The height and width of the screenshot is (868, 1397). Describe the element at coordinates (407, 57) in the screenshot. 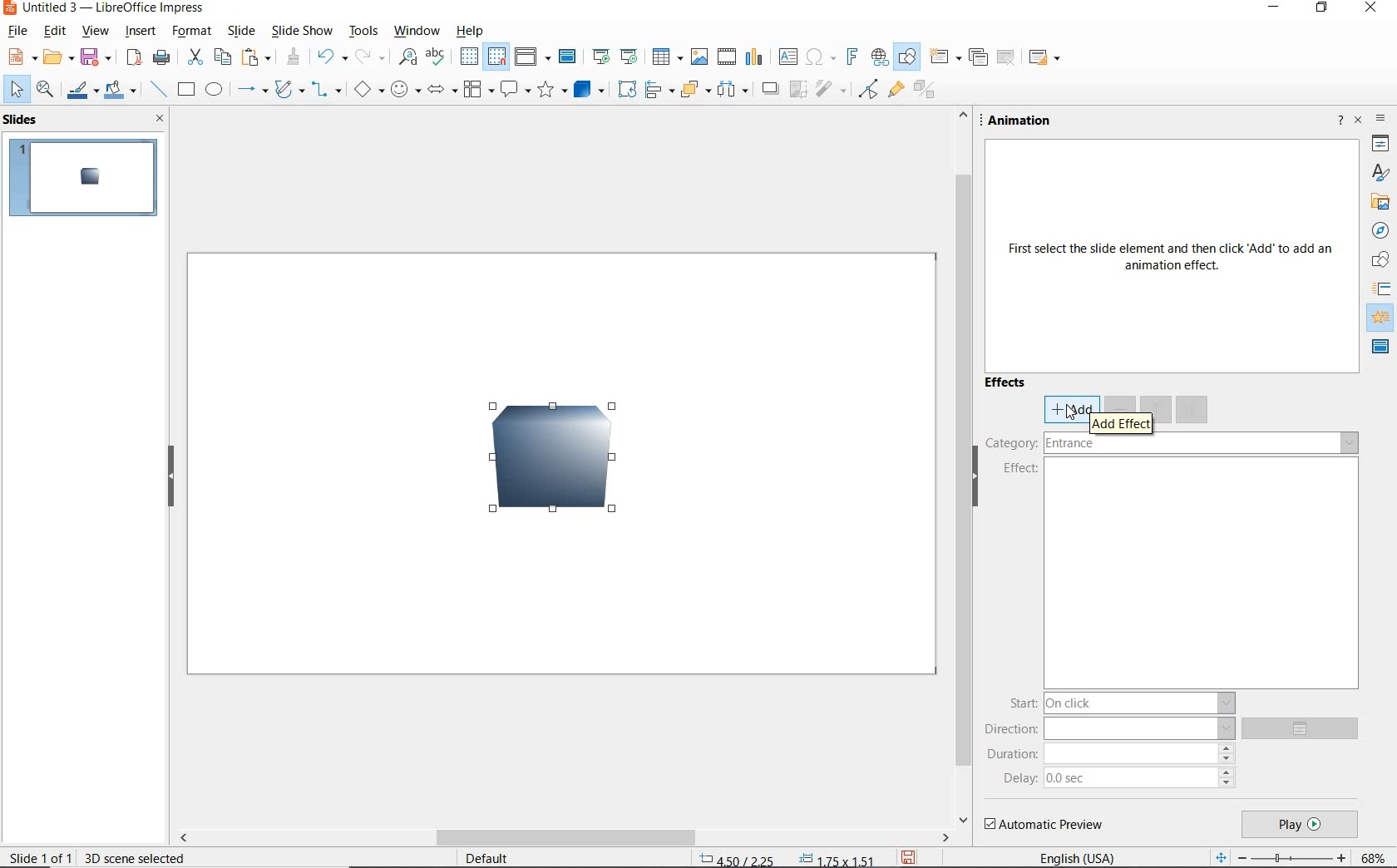

I see `find & replace` at that location.